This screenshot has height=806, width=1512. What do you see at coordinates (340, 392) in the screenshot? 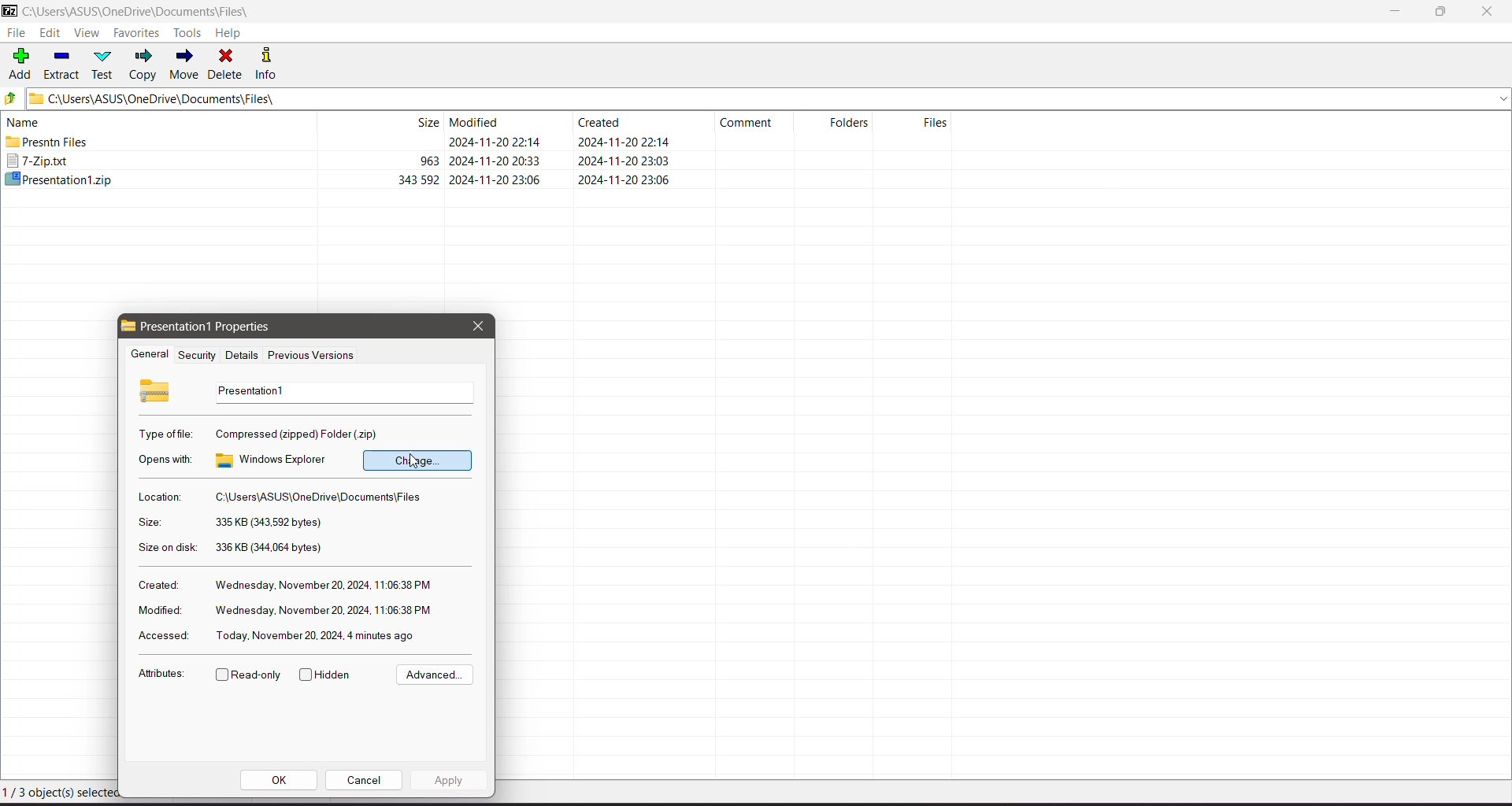
I see `Selected file name` at bounding box center [340, 392].